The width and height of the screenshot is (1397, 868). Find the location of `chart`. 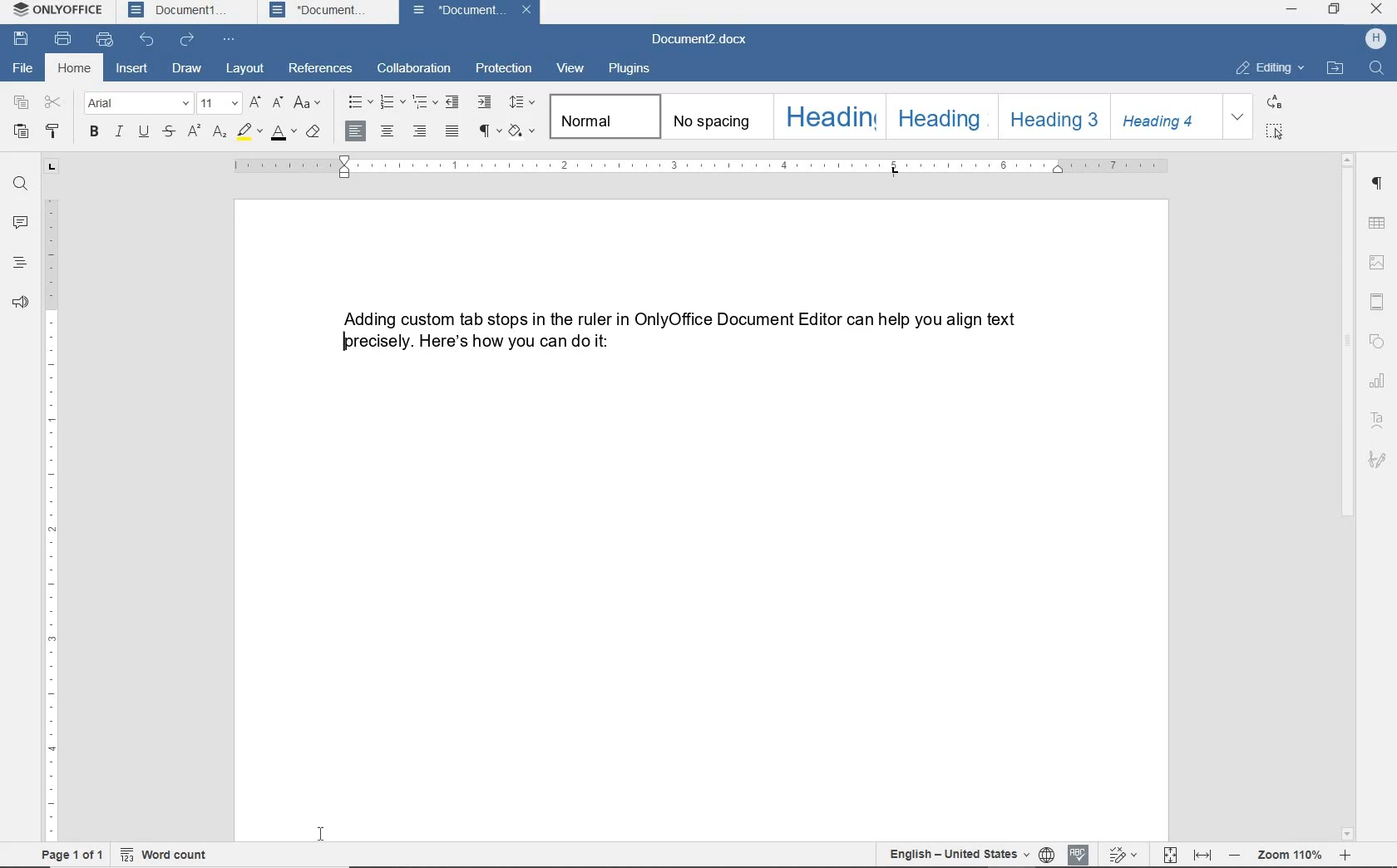

chart is located at coordinates (1380, 379).